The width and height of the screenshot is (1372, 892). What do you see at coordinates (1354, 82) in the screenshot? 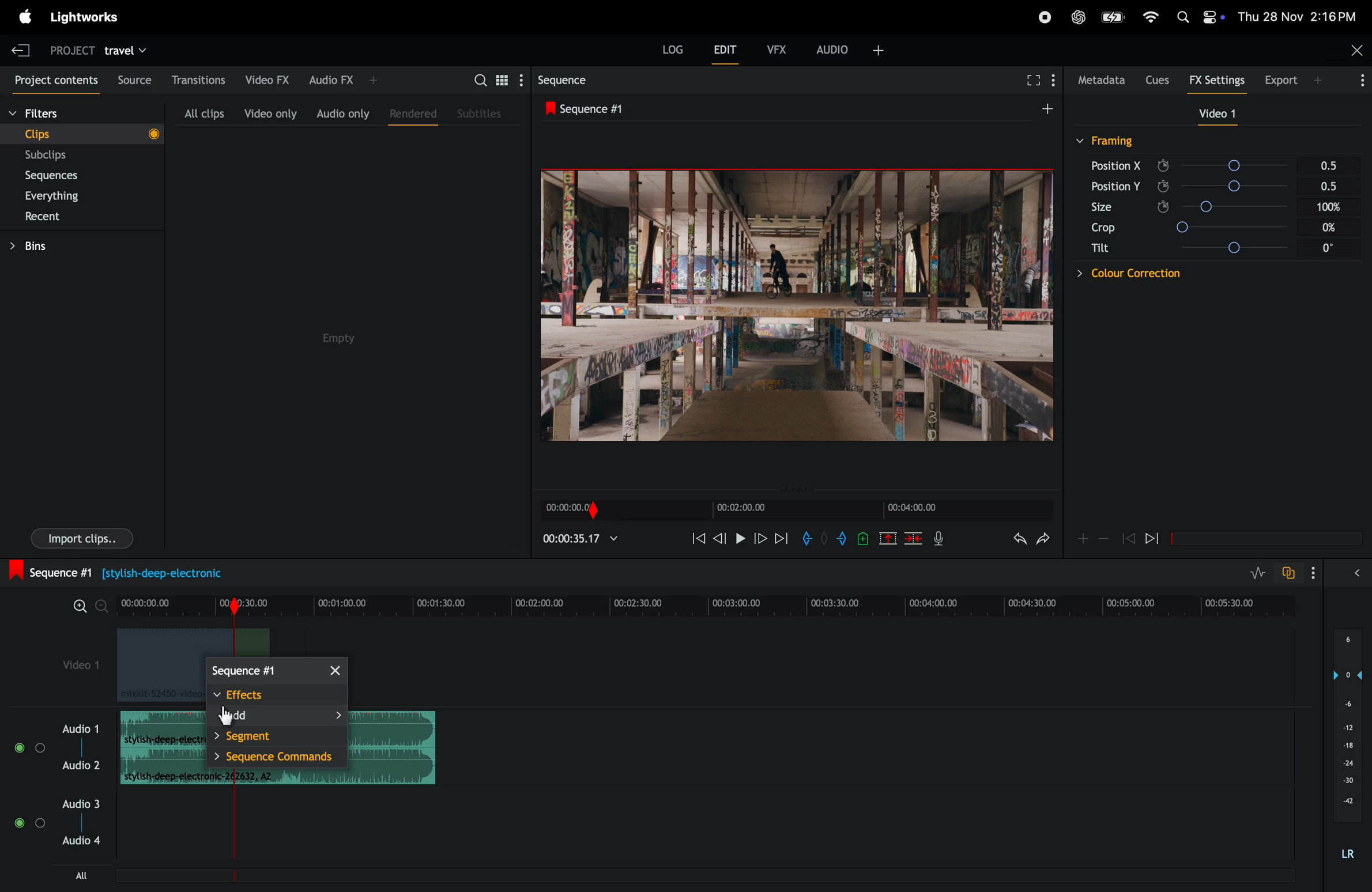
I see `options` at bounding box center [1354, 82].